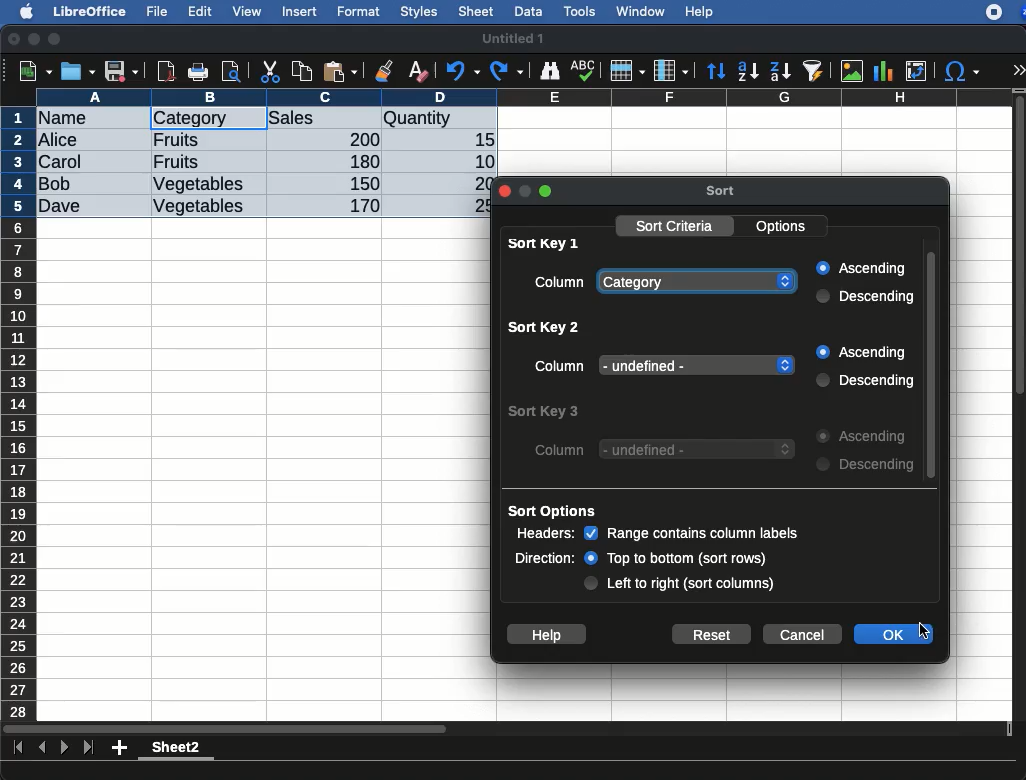  What do you see at coordinates (359, 206) in the screenshot?
I see `170` at bounding box center [359, 206].